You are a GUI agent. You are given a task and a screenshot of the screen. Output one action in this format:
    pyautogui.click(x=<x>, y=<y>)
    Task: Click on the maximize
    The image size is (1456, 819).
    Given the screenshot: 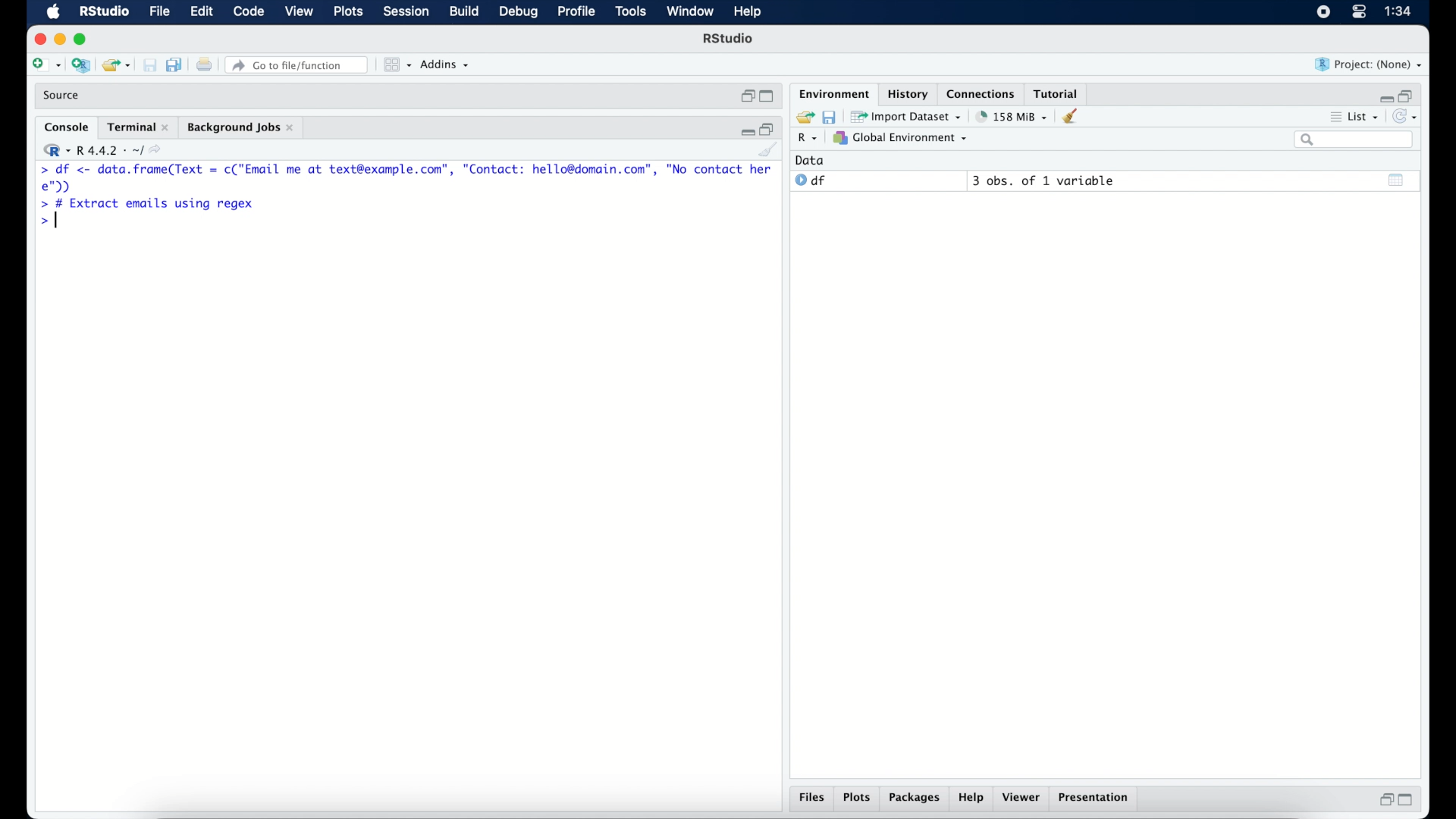 What is the action you would take?
    pyautogui.click(x=82, y=39)
    